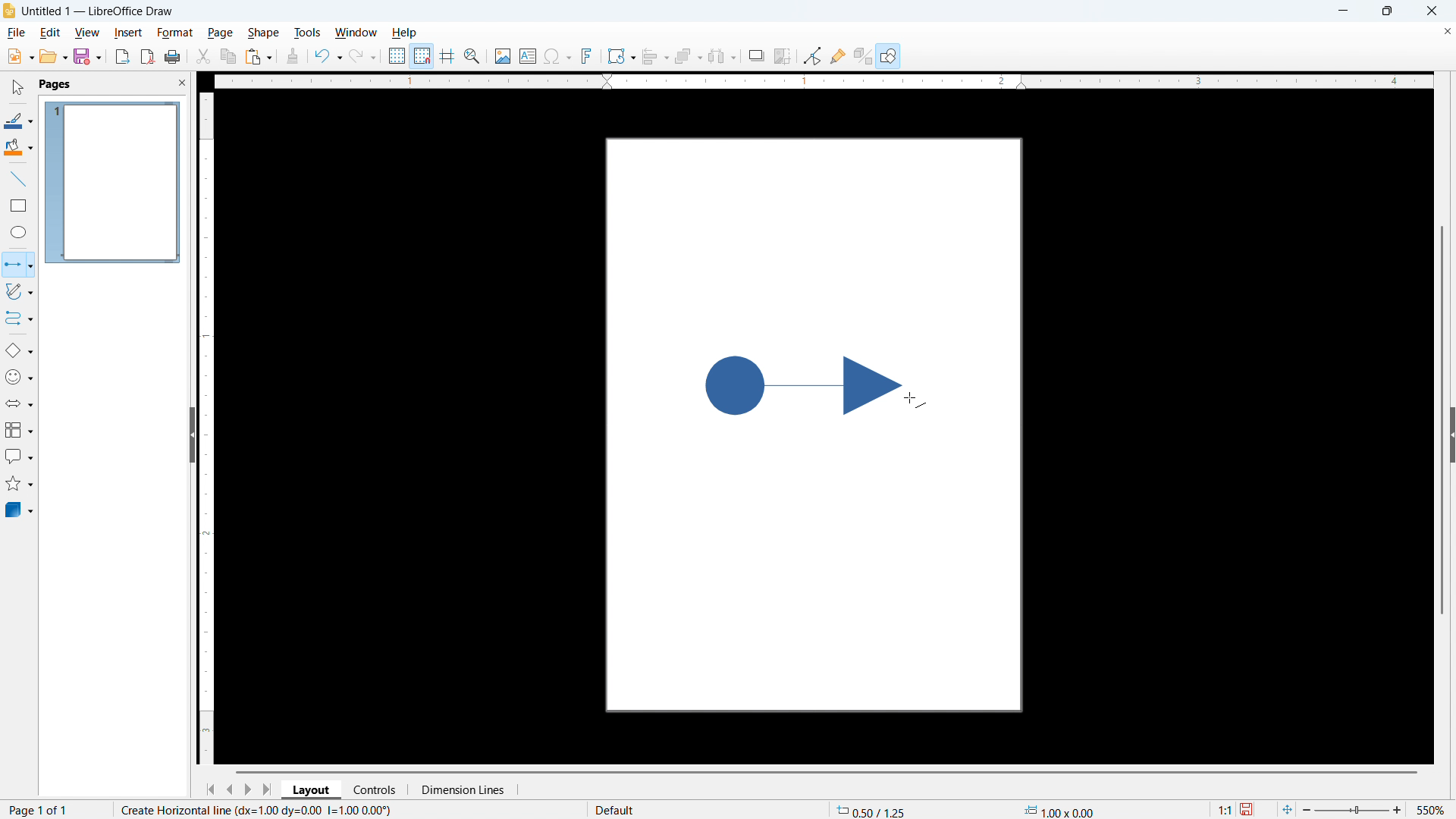 This screenshot has height=819, width=1456. I want to click on clone formatting , so click(293, 57).